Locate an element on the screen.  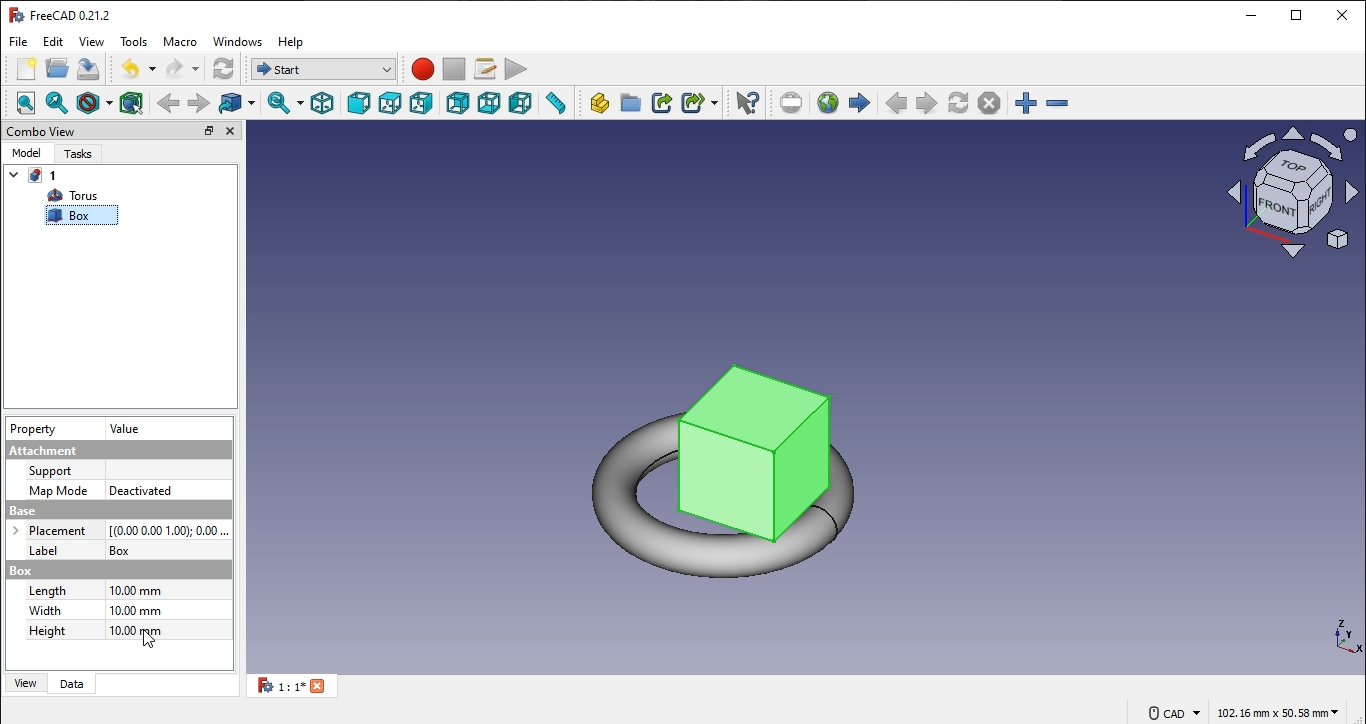
zoom in is located at coordinates (1026, 103).